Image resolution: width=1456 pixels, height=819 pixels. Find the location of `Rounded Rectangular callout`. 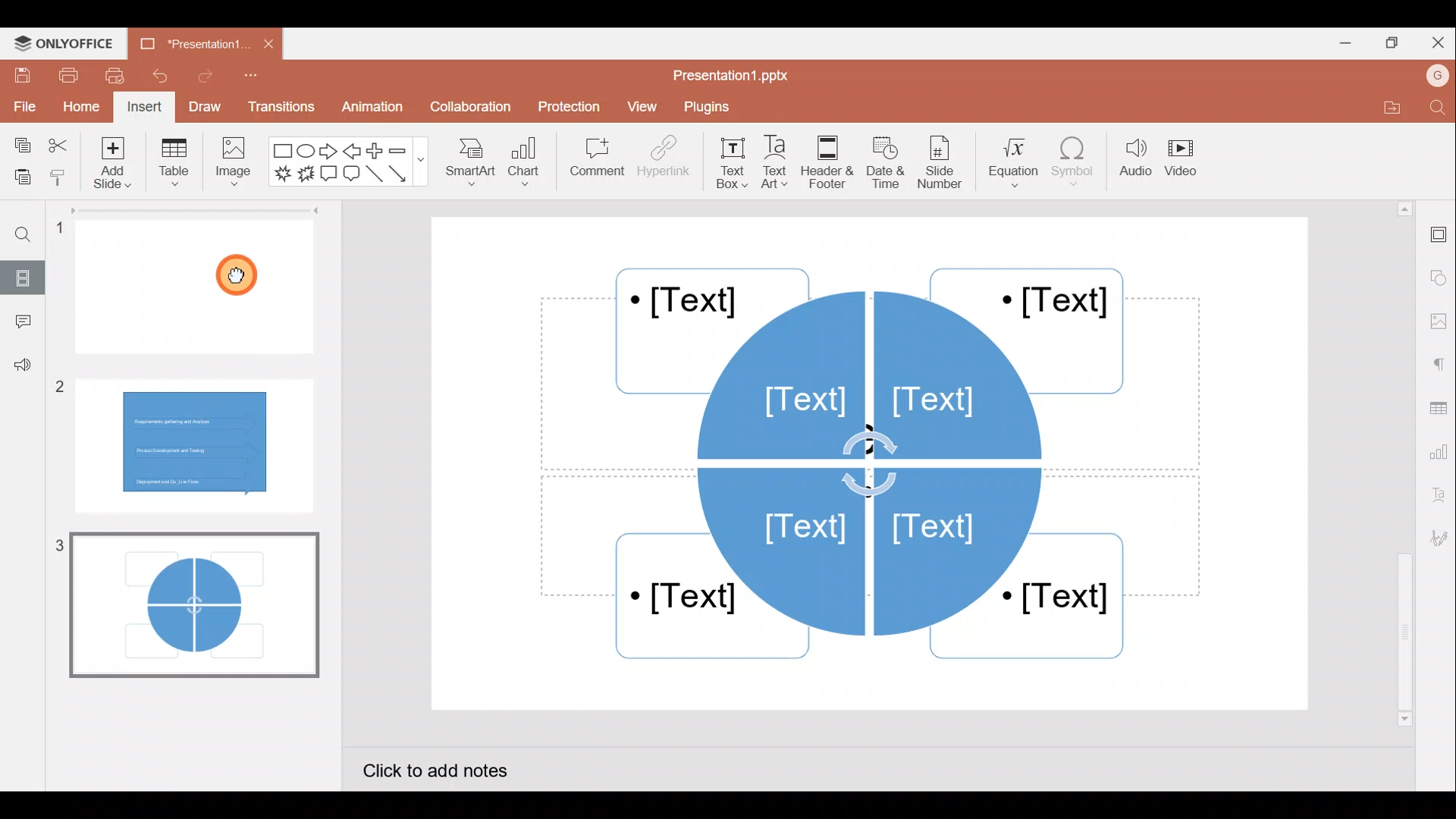

Rounded Rectangular callout is located at coordinates (351, 176).